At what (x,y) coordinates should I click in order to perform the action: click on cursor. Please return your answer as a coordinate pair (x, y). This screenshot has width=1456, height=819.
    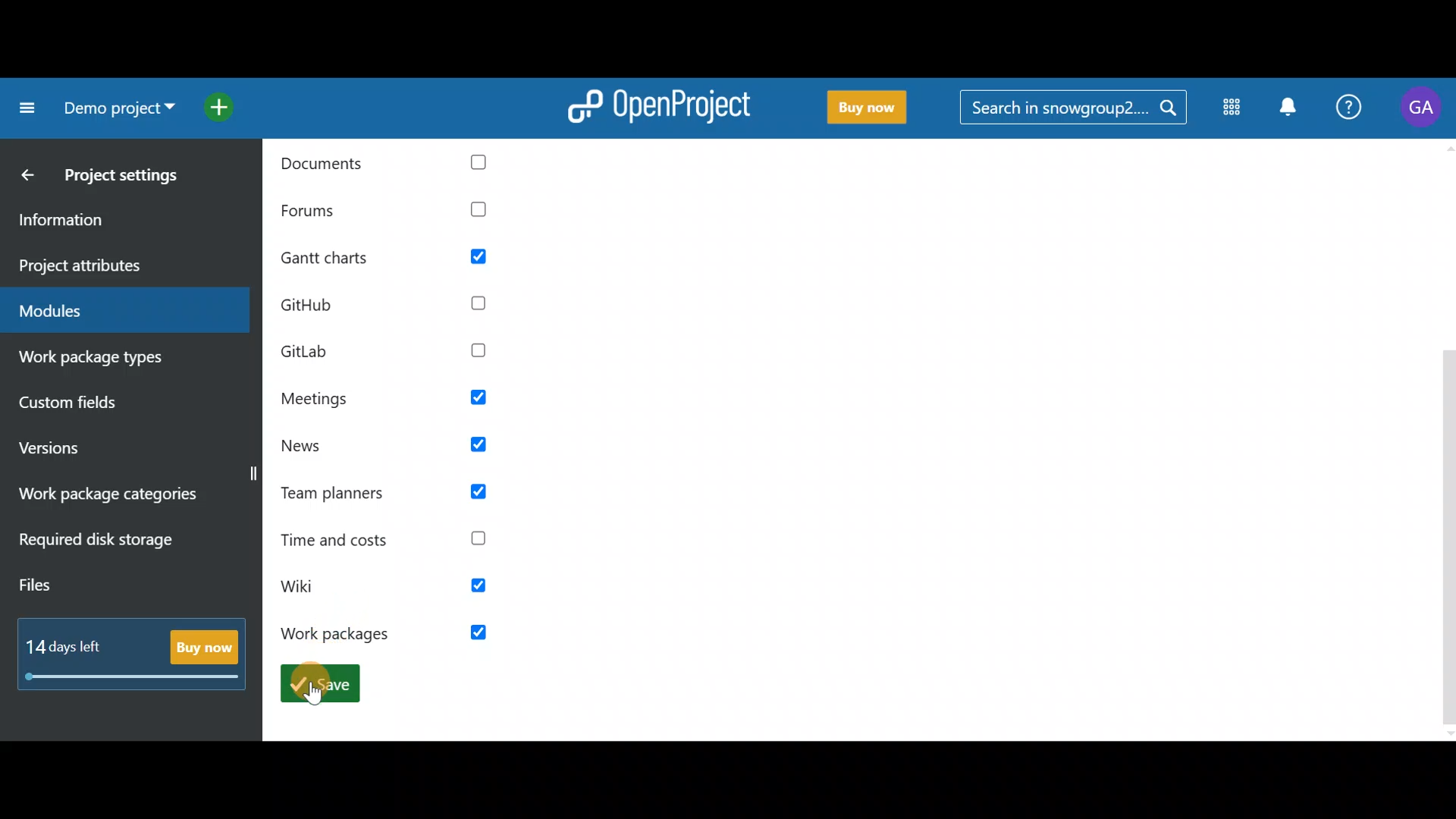
    Looking at the image, I should click on (312, 693).